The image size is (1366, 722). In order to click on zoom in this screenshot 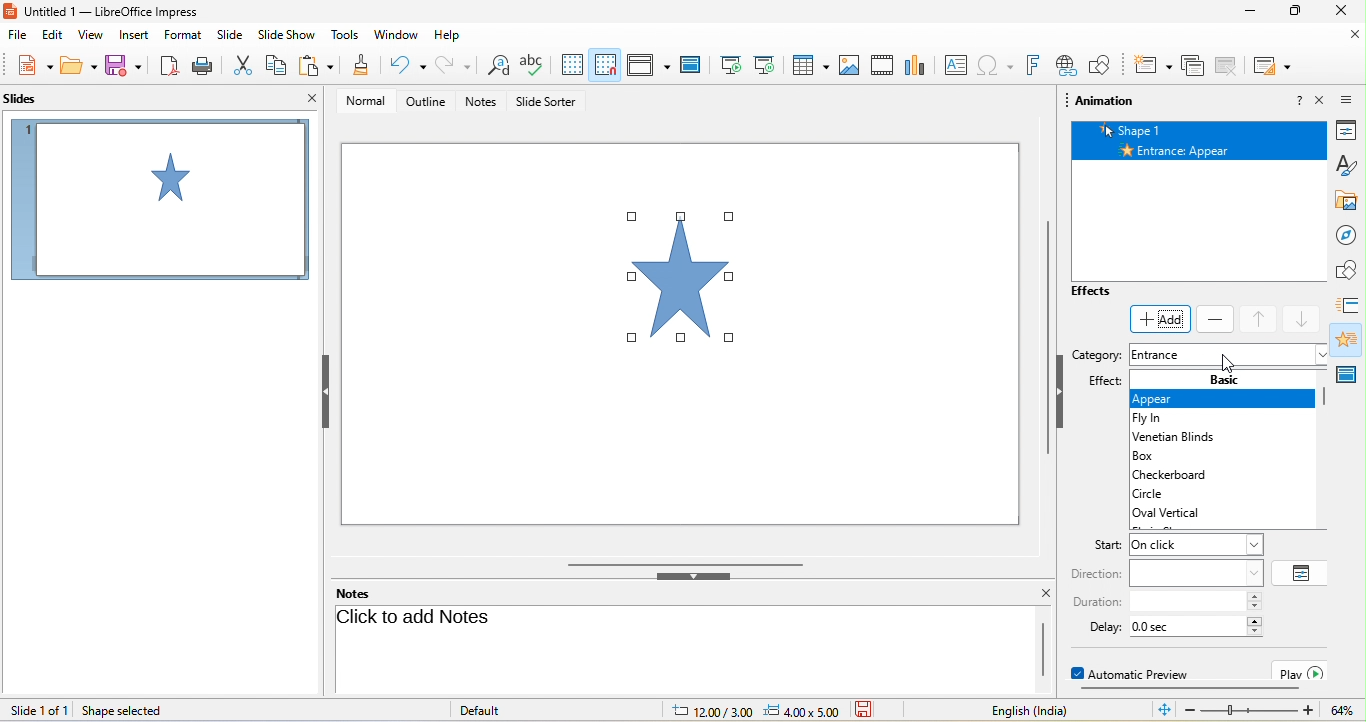, I will do `click(1251, 711)`.